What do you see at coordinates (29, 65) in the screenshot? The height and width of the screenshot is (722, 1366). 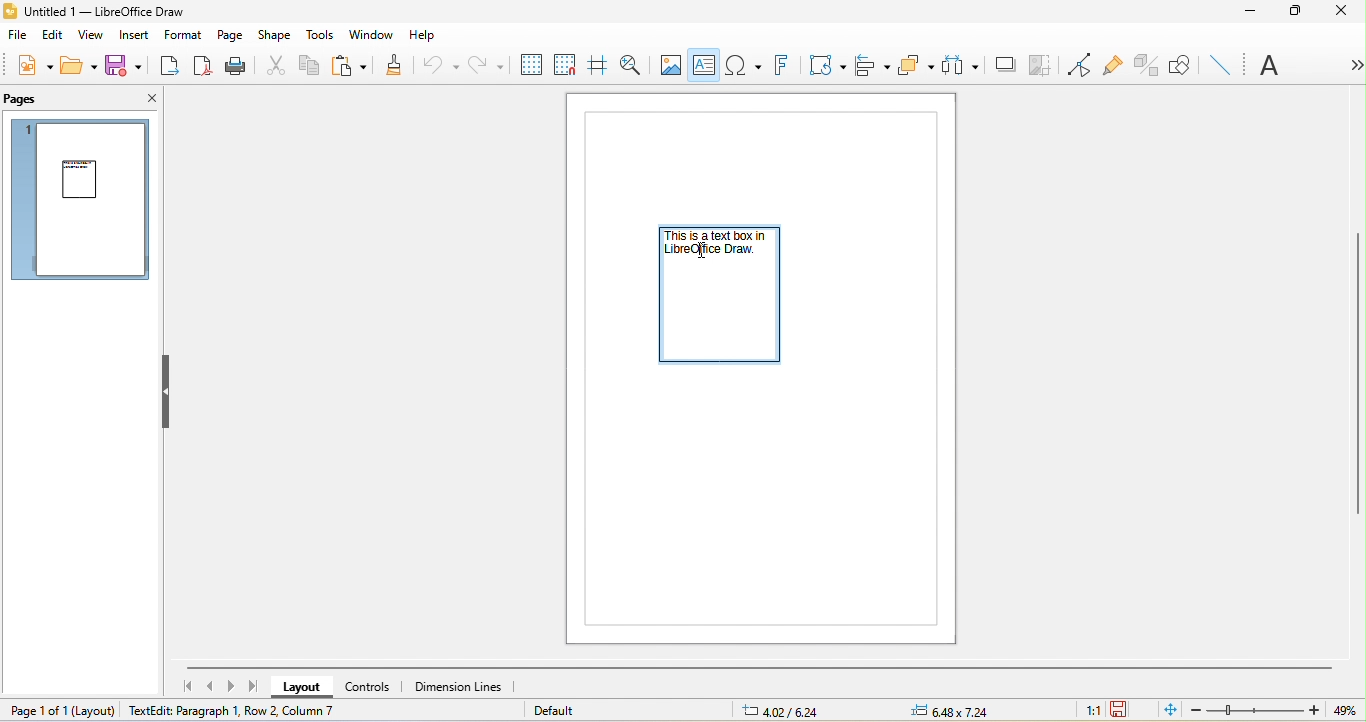 I see `new` at bounding box center [29, 65].